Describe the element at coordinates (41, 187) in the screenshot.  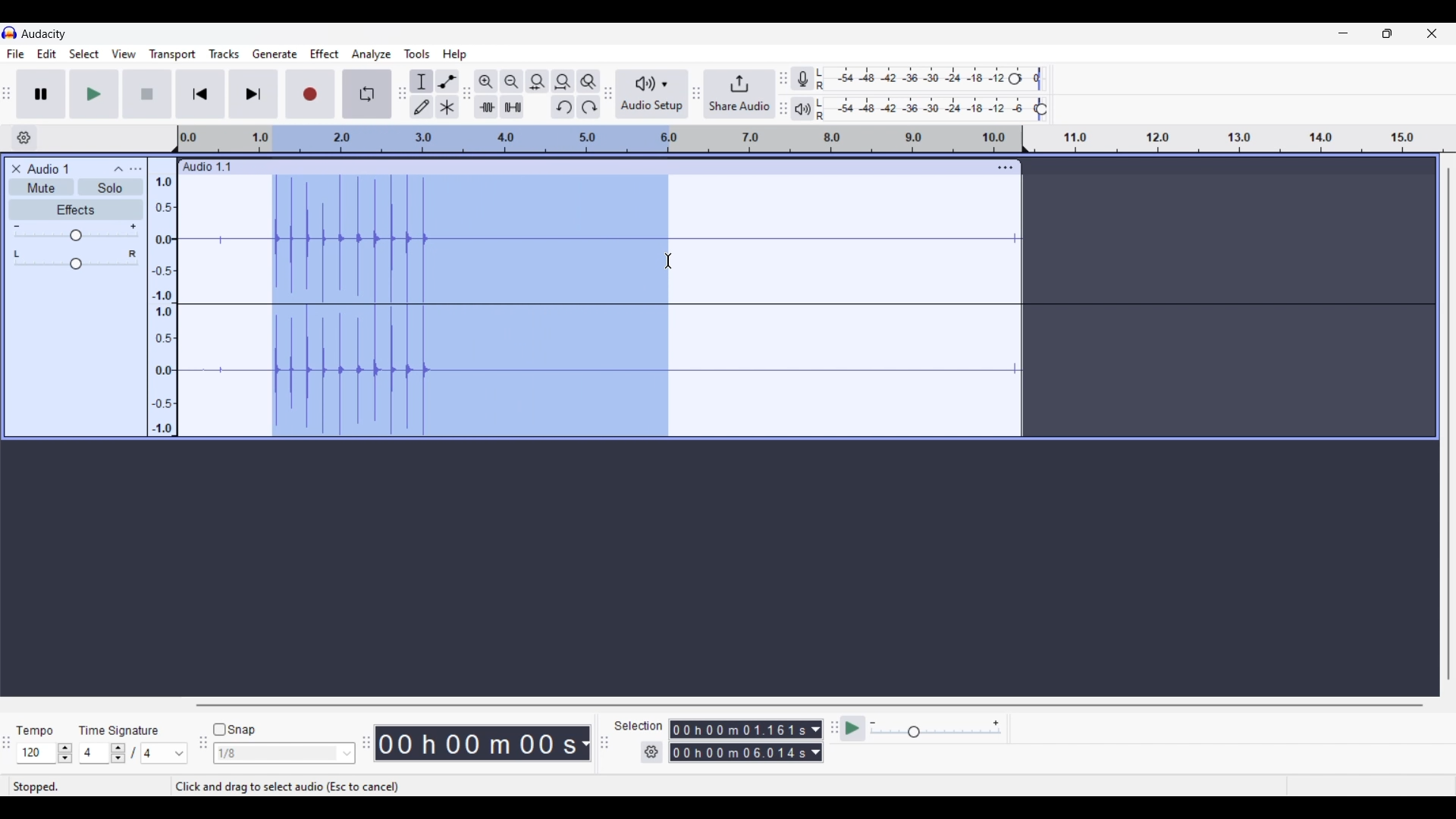
I see `Mute` at that location.